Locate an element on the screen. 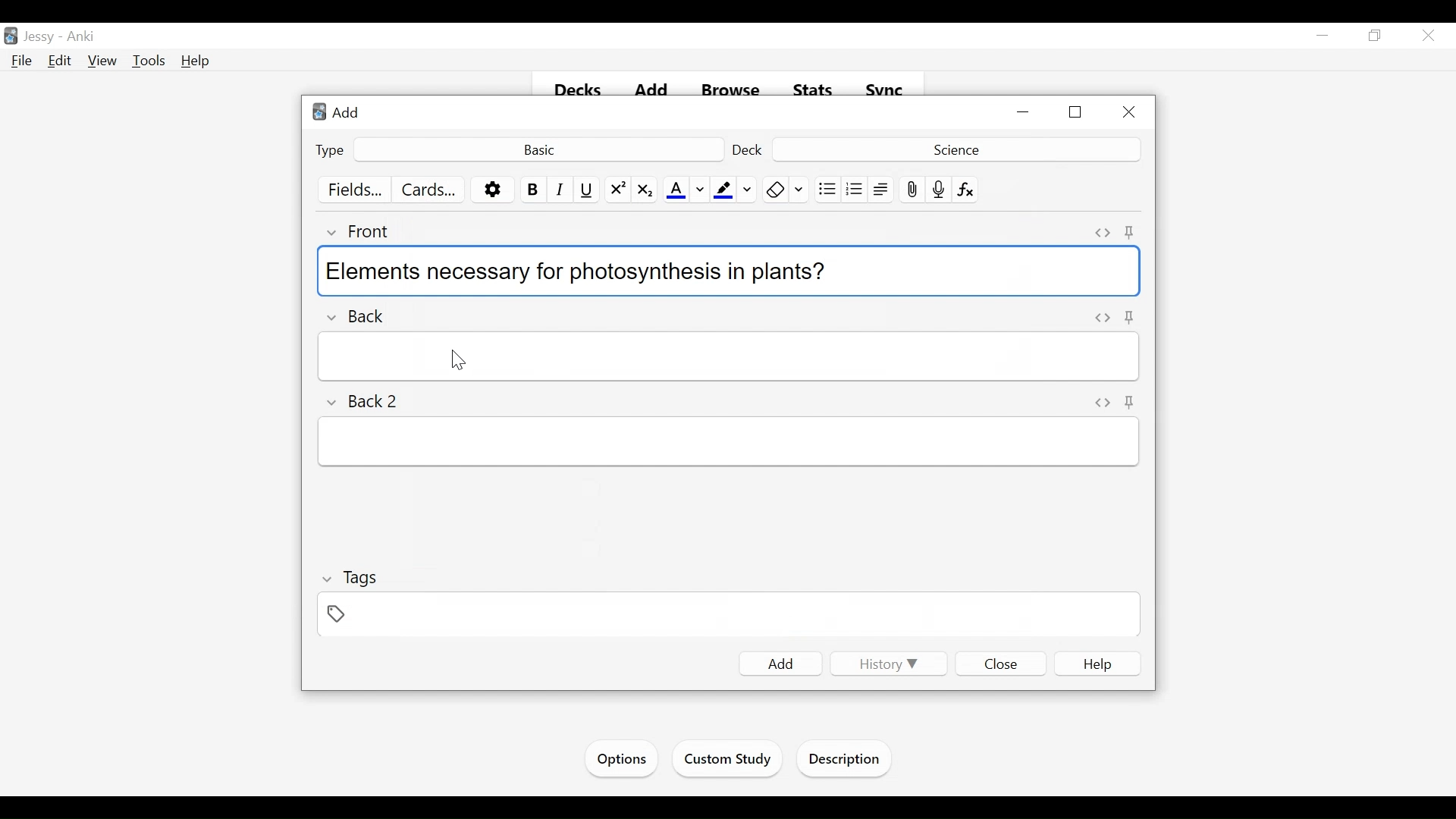 The image size is (1456, 819). Fields is located at coordinates (356, 190).